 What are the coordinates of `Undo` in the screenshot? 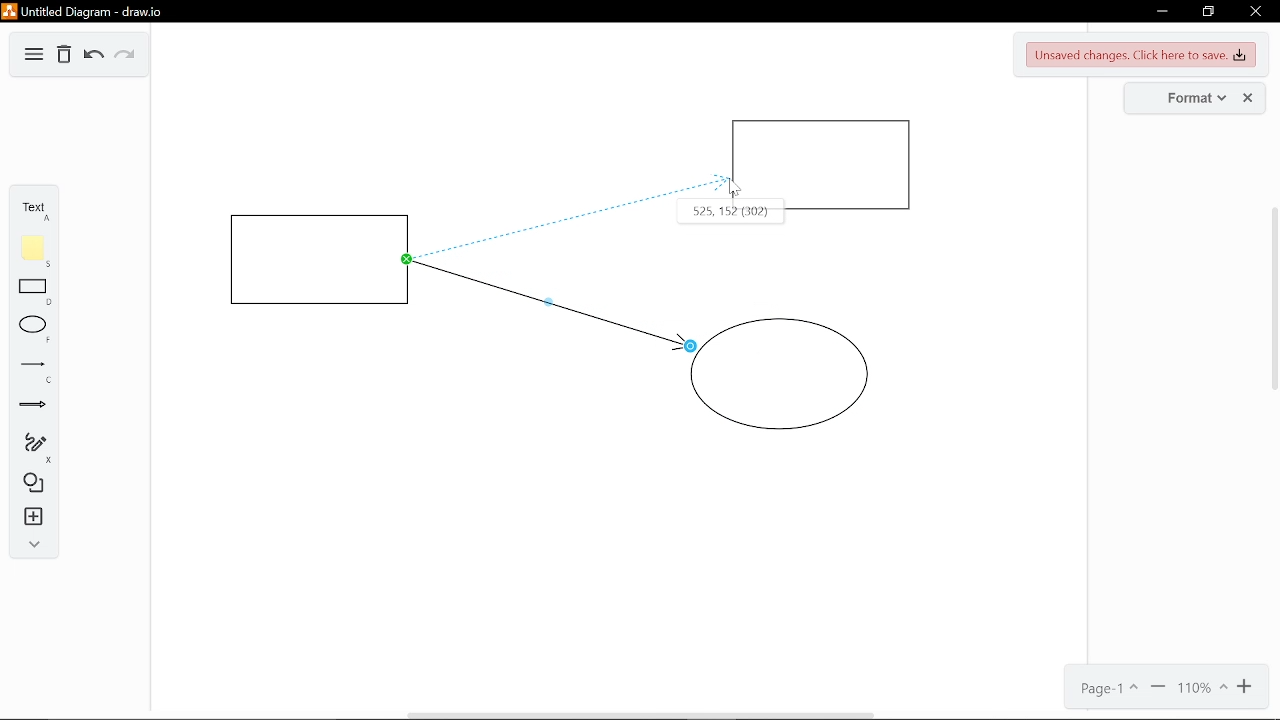 It's located at (94, 57).